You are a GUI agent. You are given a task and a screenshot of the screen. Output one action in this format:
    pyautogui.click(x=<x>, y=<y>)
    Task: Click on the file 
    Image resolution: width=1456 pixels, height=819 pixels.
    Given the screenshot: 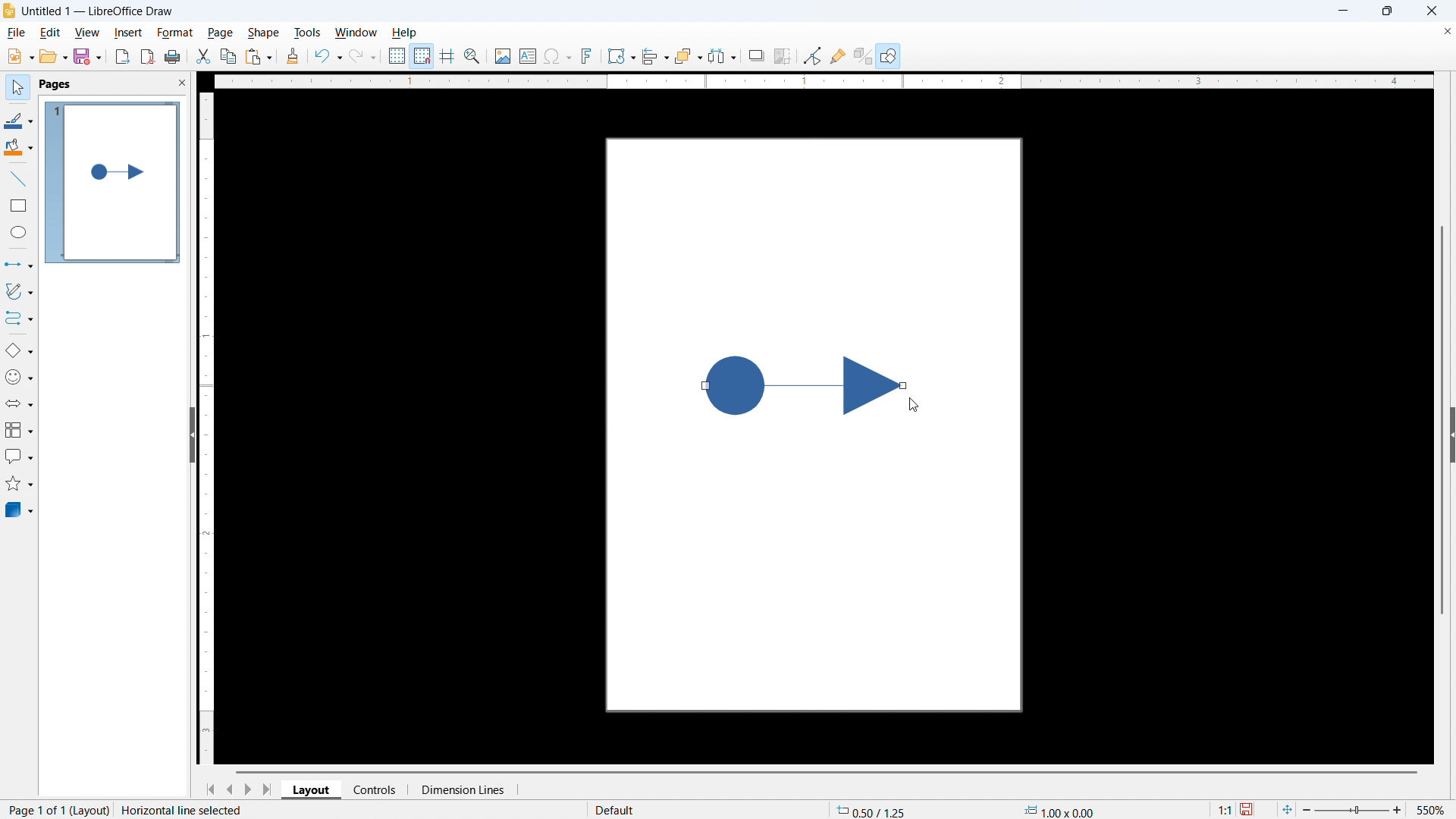 What is the action you would take?
    pyautogui.click(x=16, y=33)
    